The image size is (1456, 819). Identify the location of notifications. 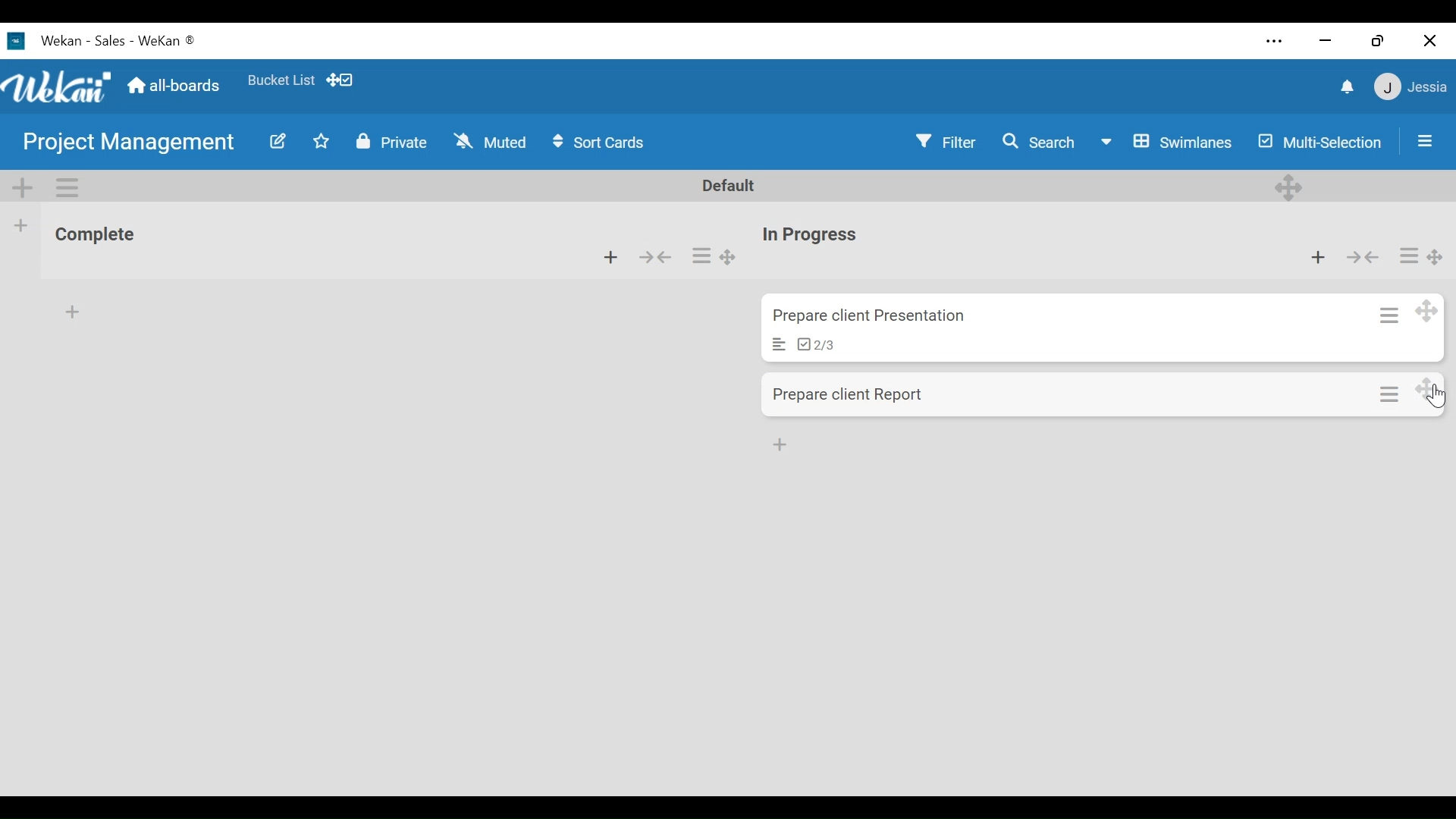
(1341, 86).